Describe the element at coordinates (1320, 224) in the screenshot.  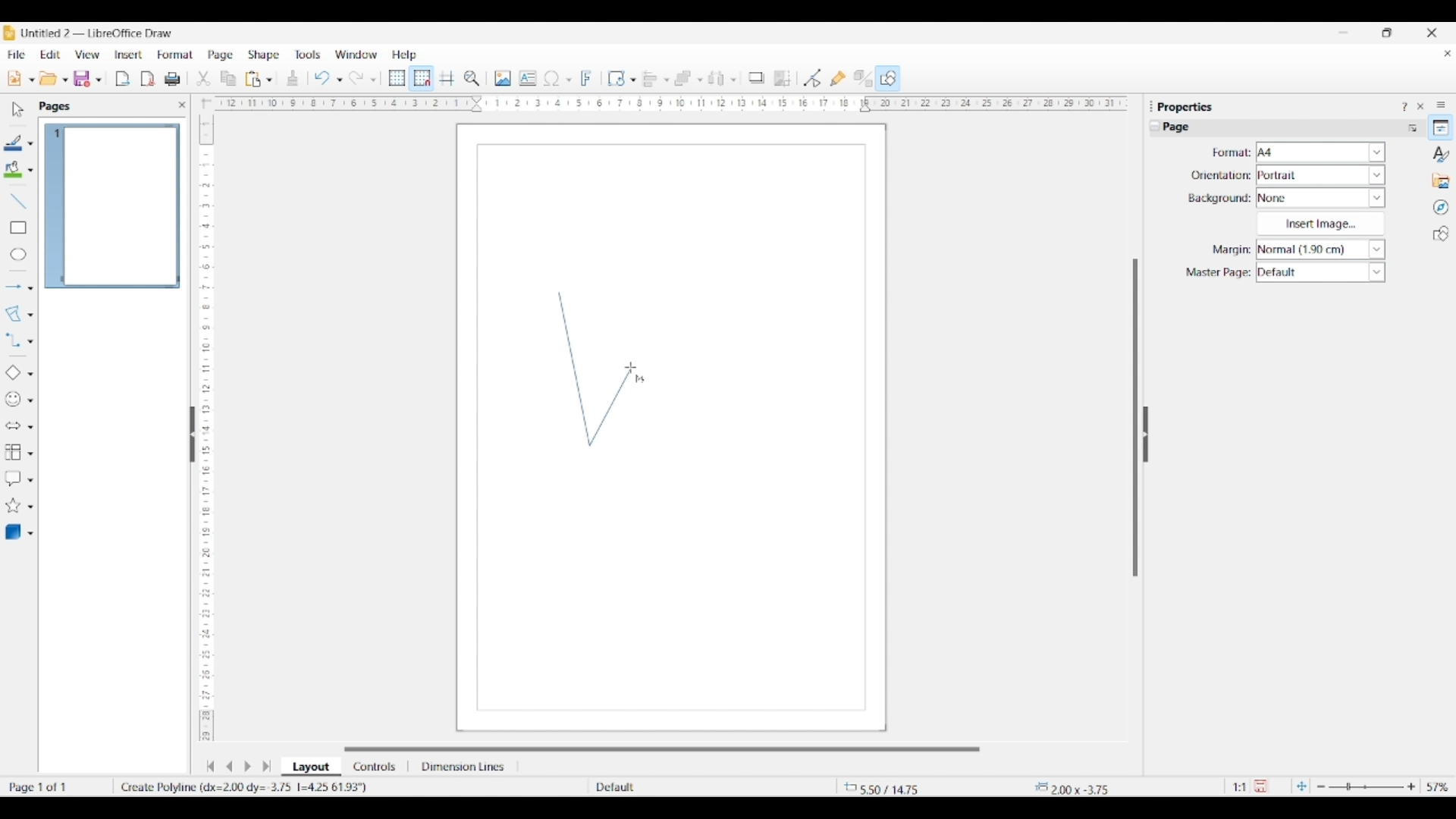
I see `Insert image` at that location.